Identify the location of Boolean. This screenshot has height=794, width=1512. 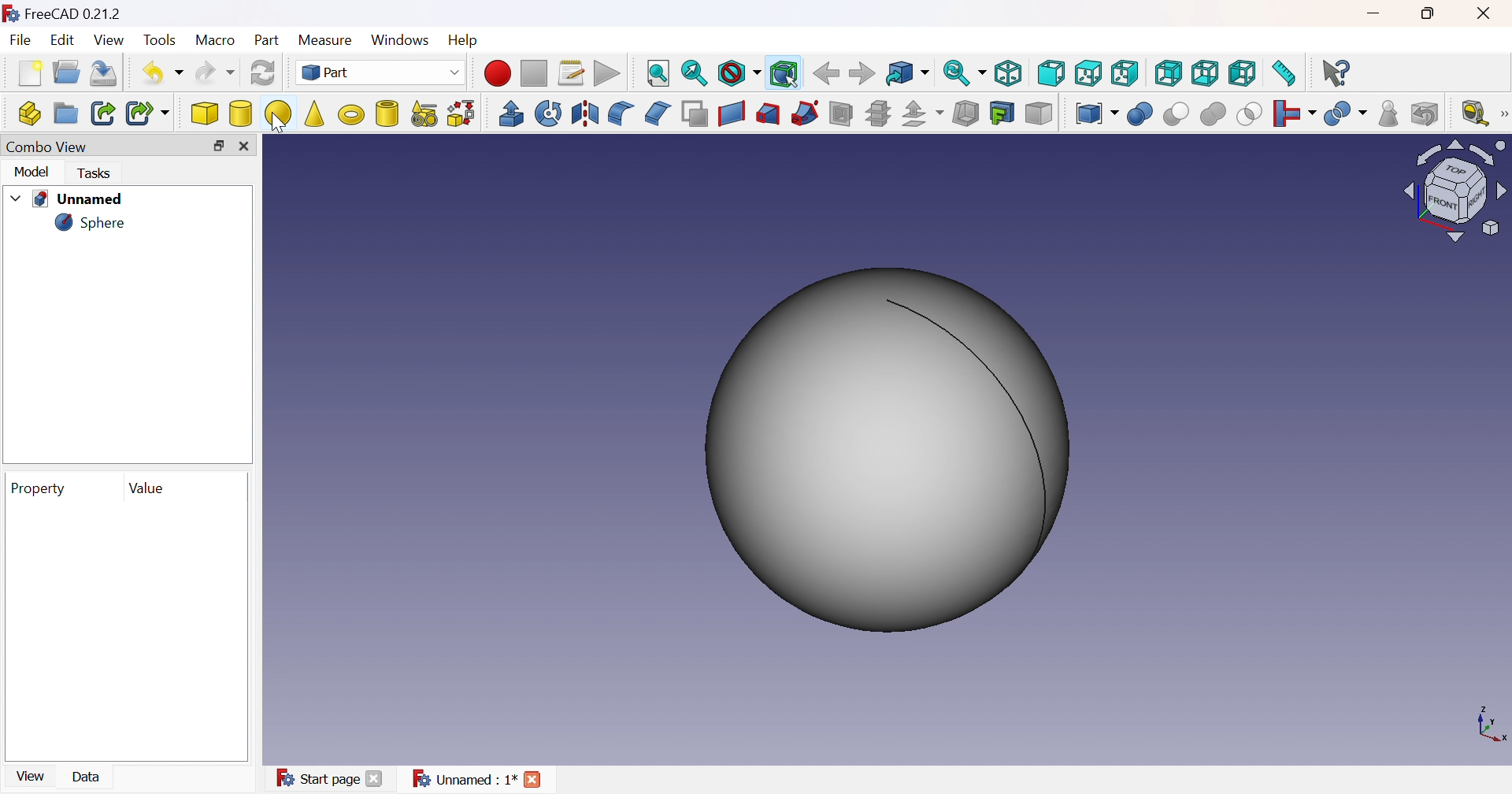
(1139, 113).